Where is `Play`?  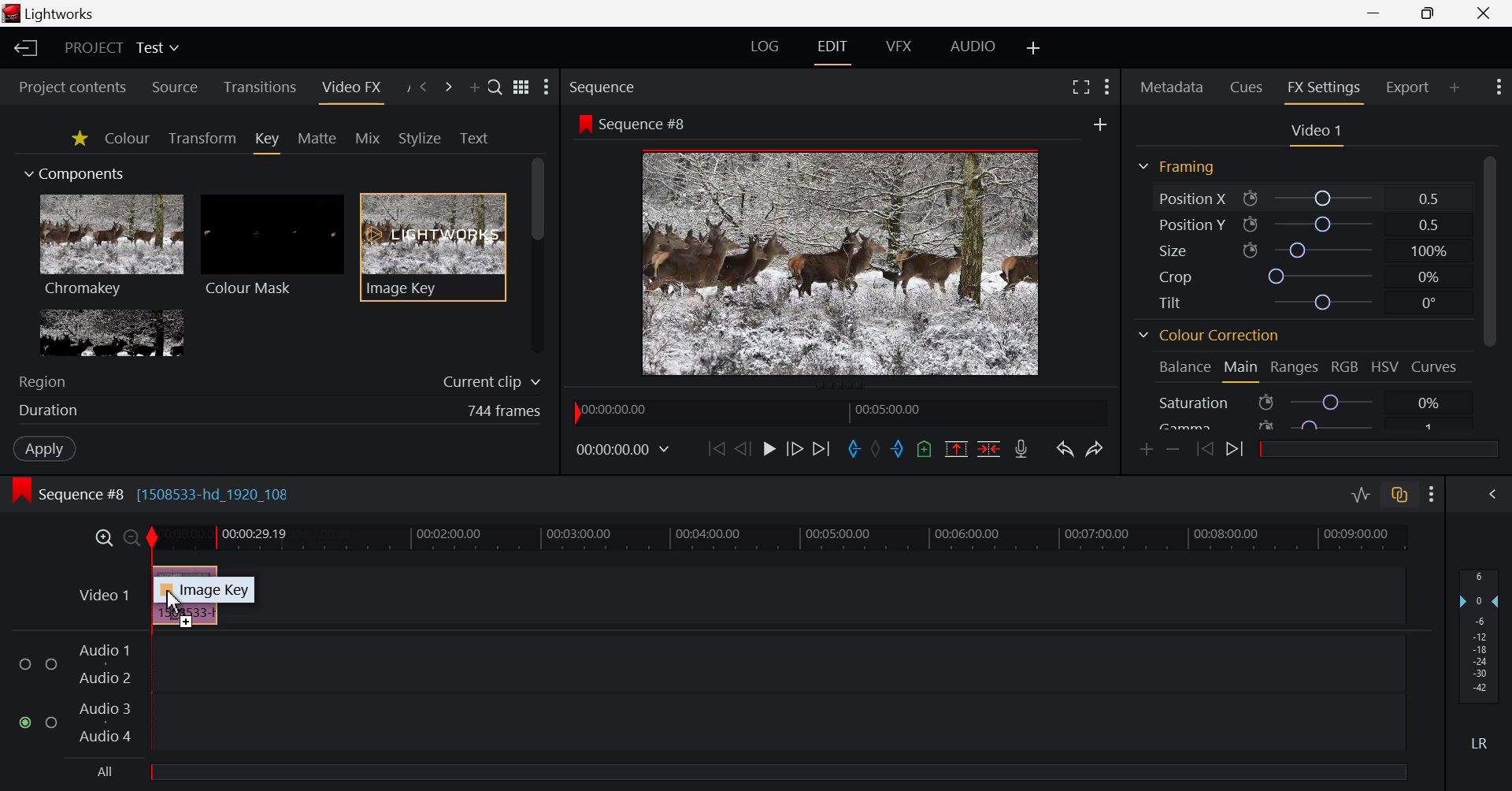 Play is located at coordinates (771, 450).